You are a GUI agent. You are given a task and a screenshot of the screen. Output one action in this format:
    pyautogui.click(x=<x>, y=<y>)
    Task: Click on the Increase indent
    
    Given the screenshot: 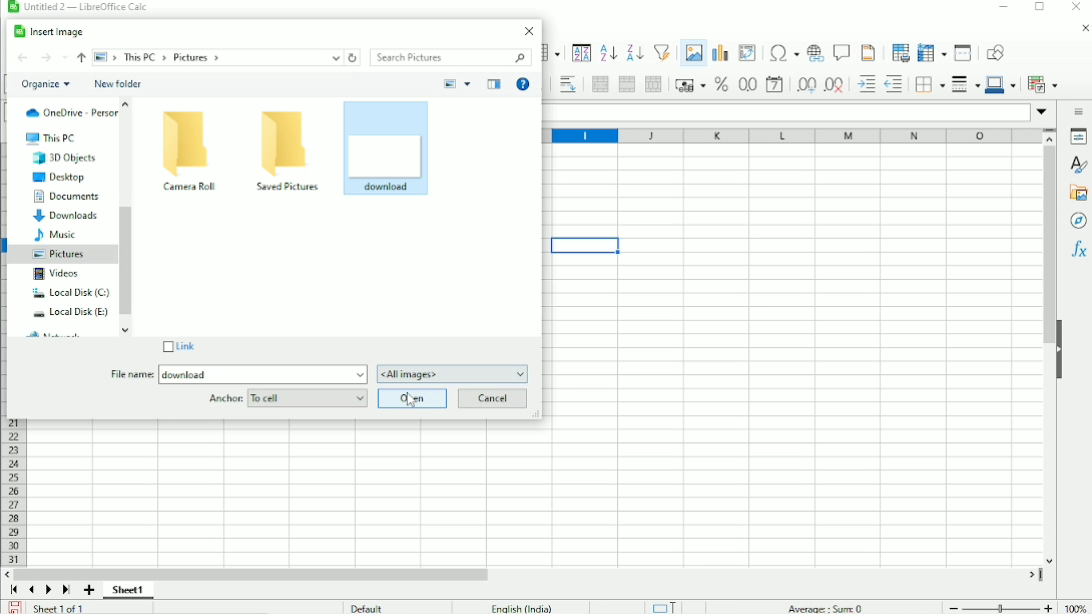 What is the action you would take?
    pyautogui.click(x=862, y=85)
    